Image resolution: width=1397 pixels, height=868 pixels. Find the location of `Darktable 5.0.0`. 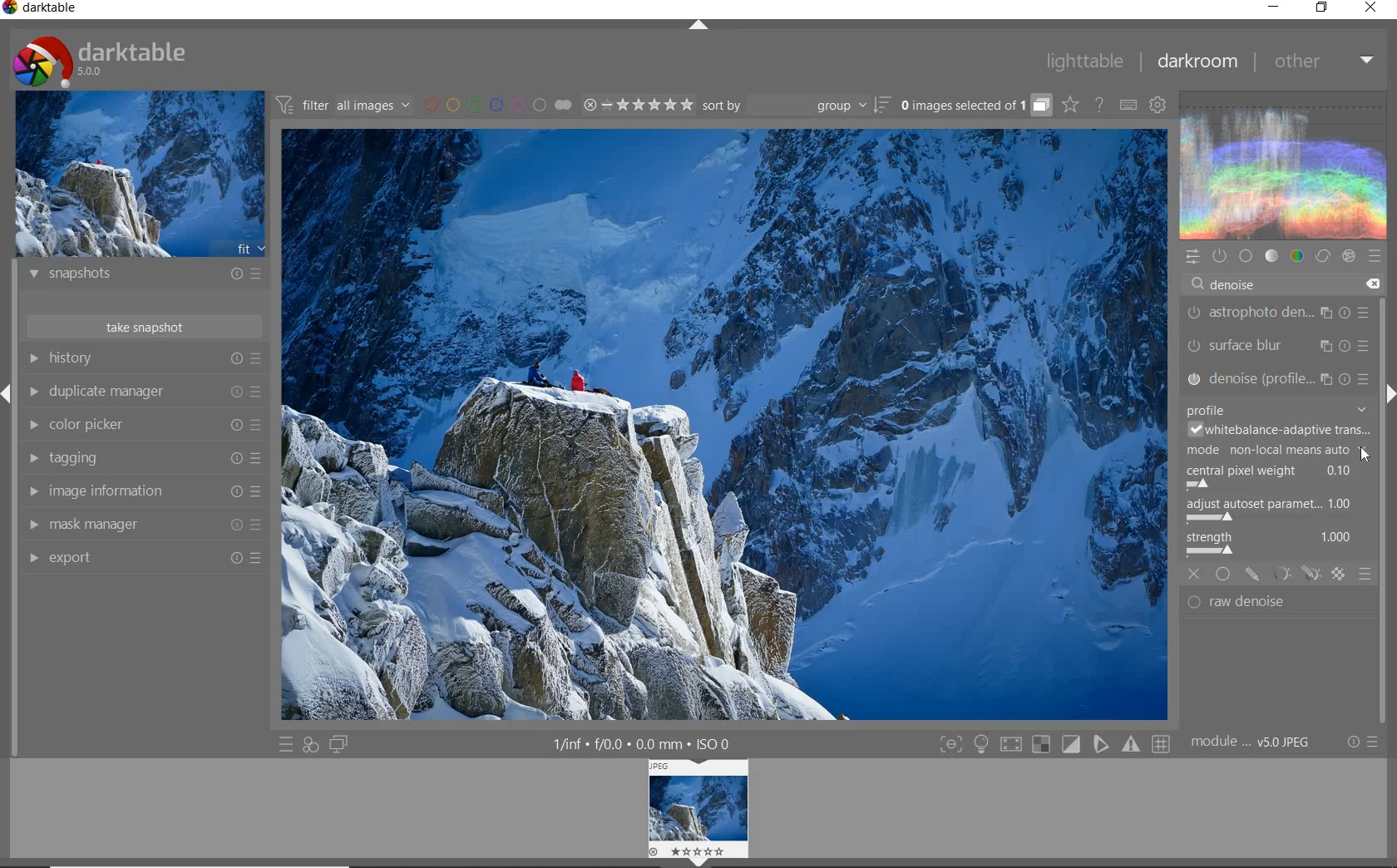

Darktable 5.0.0 is located at coordinates (100, 62).